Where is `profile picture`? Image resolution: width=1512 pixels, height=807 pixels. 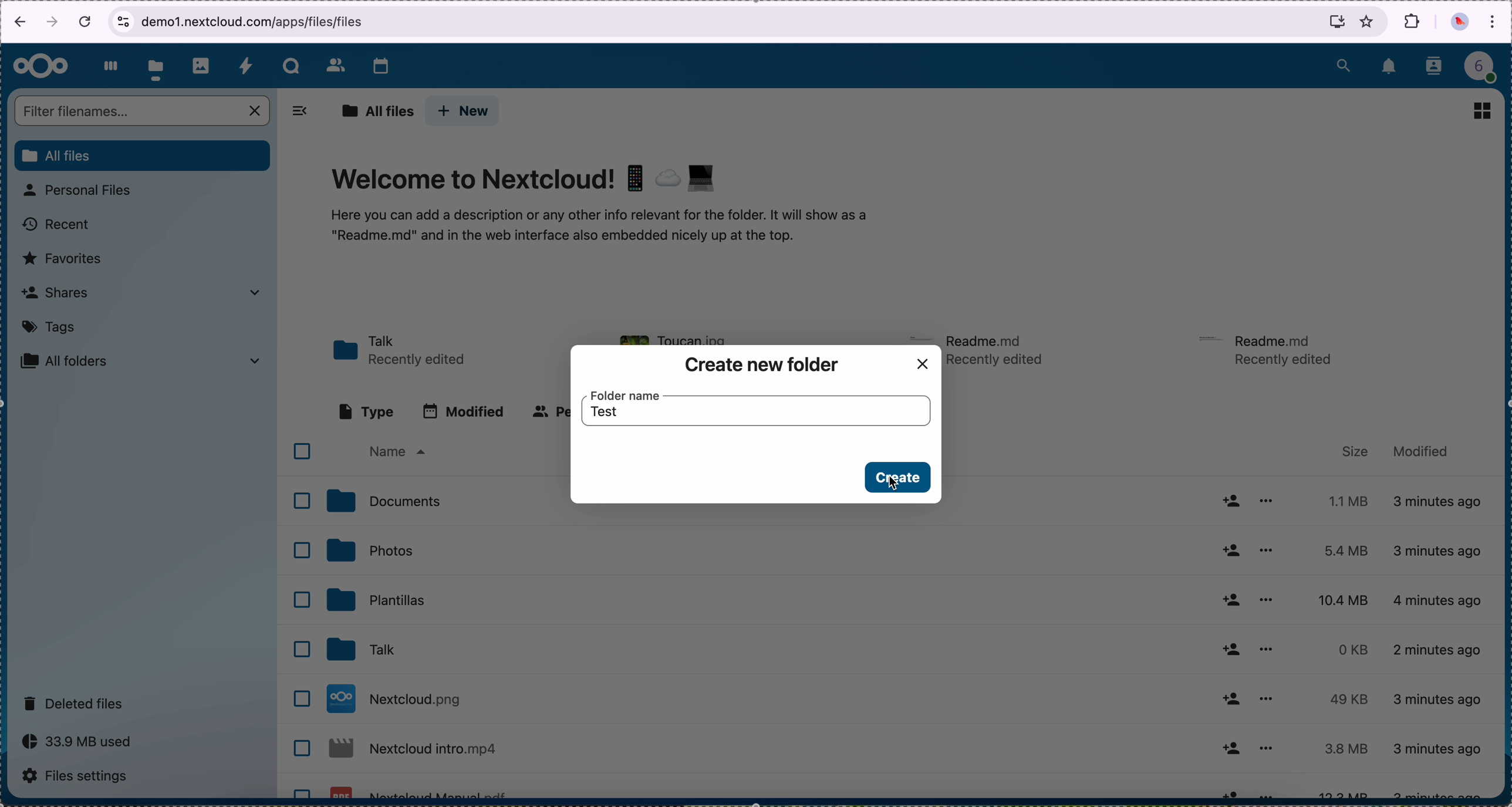 profile picture is located at coordinates (1460, 23).